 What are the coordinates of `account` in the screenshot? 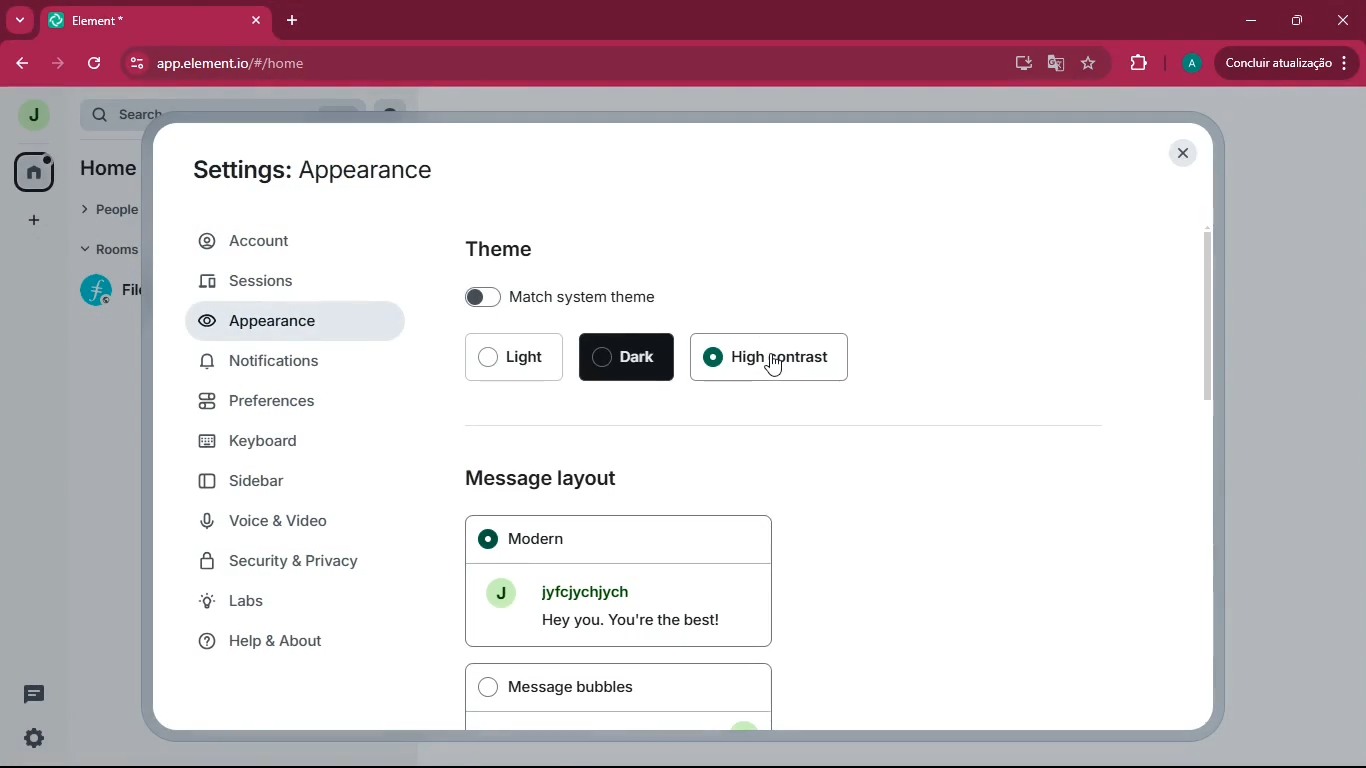 It's located at (289, 240).